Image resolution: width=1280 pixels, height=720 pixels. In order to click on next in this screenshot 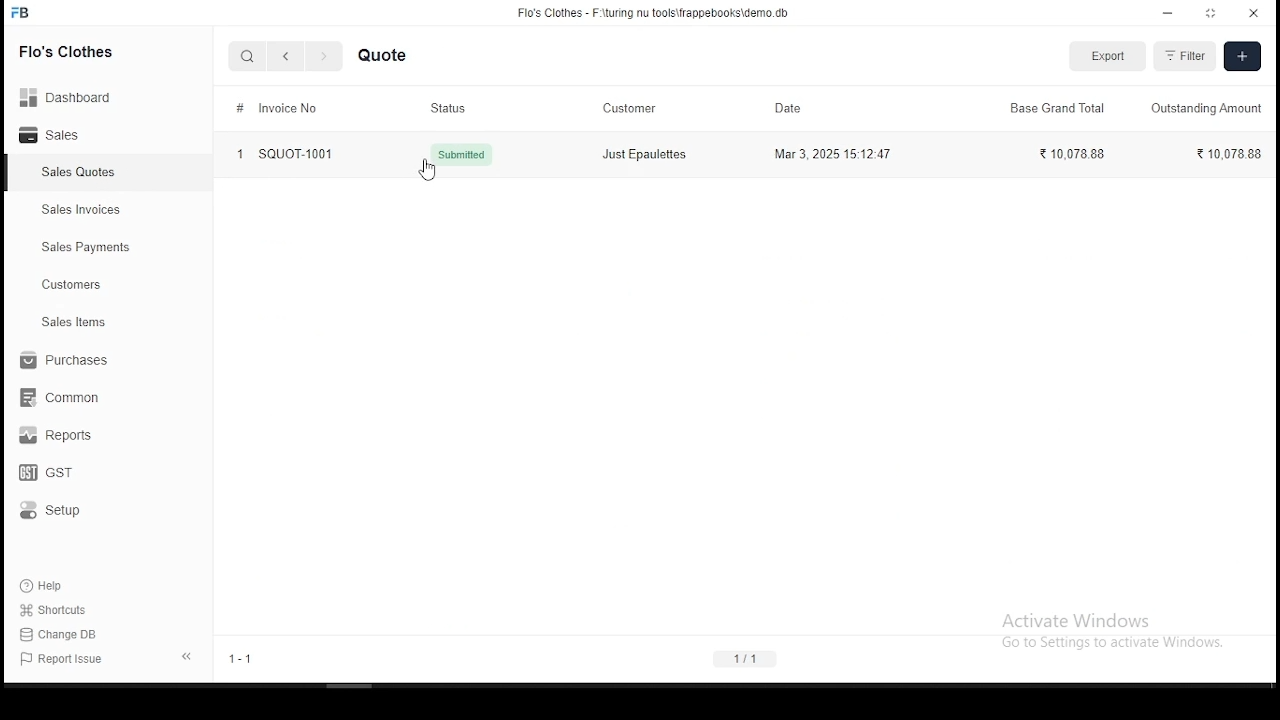, I will do `click(325, 58)`.